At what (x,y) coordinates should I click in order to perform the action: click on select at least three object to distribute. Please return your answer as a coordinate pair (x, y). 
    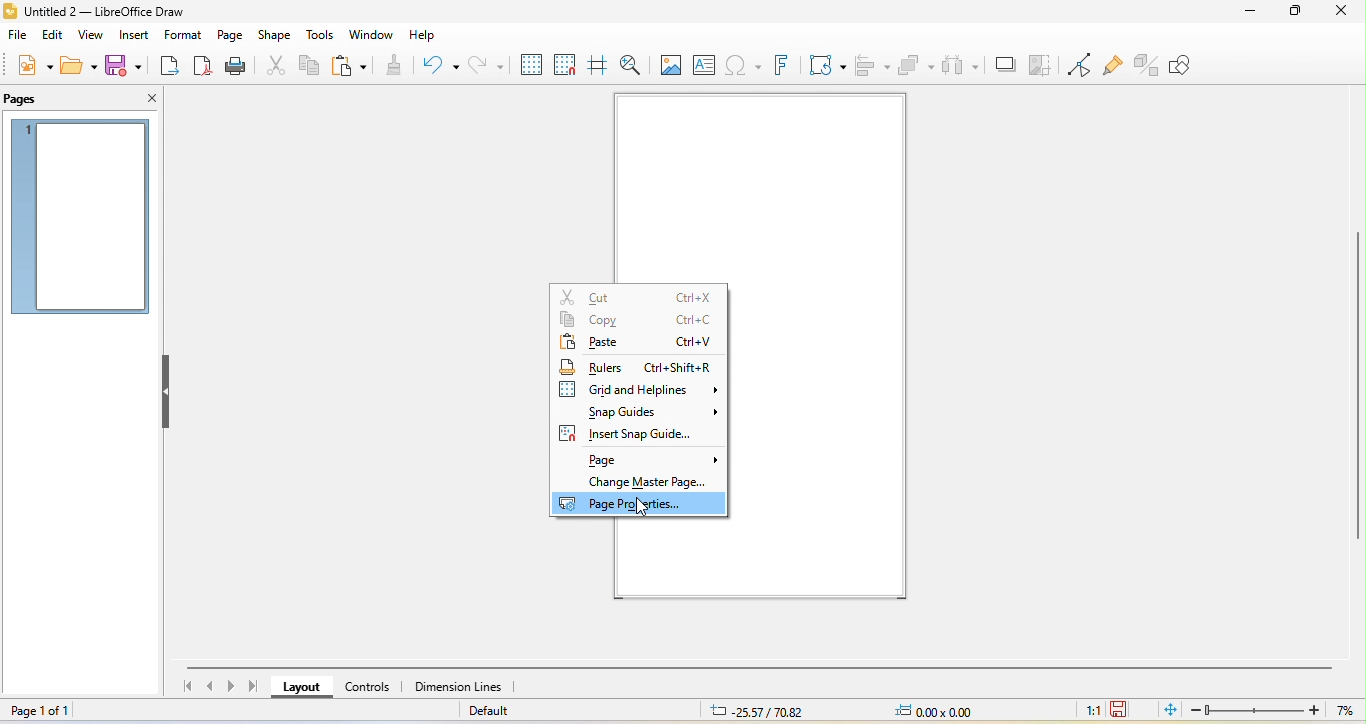
    Looking at the image, I should click on (963, 65).